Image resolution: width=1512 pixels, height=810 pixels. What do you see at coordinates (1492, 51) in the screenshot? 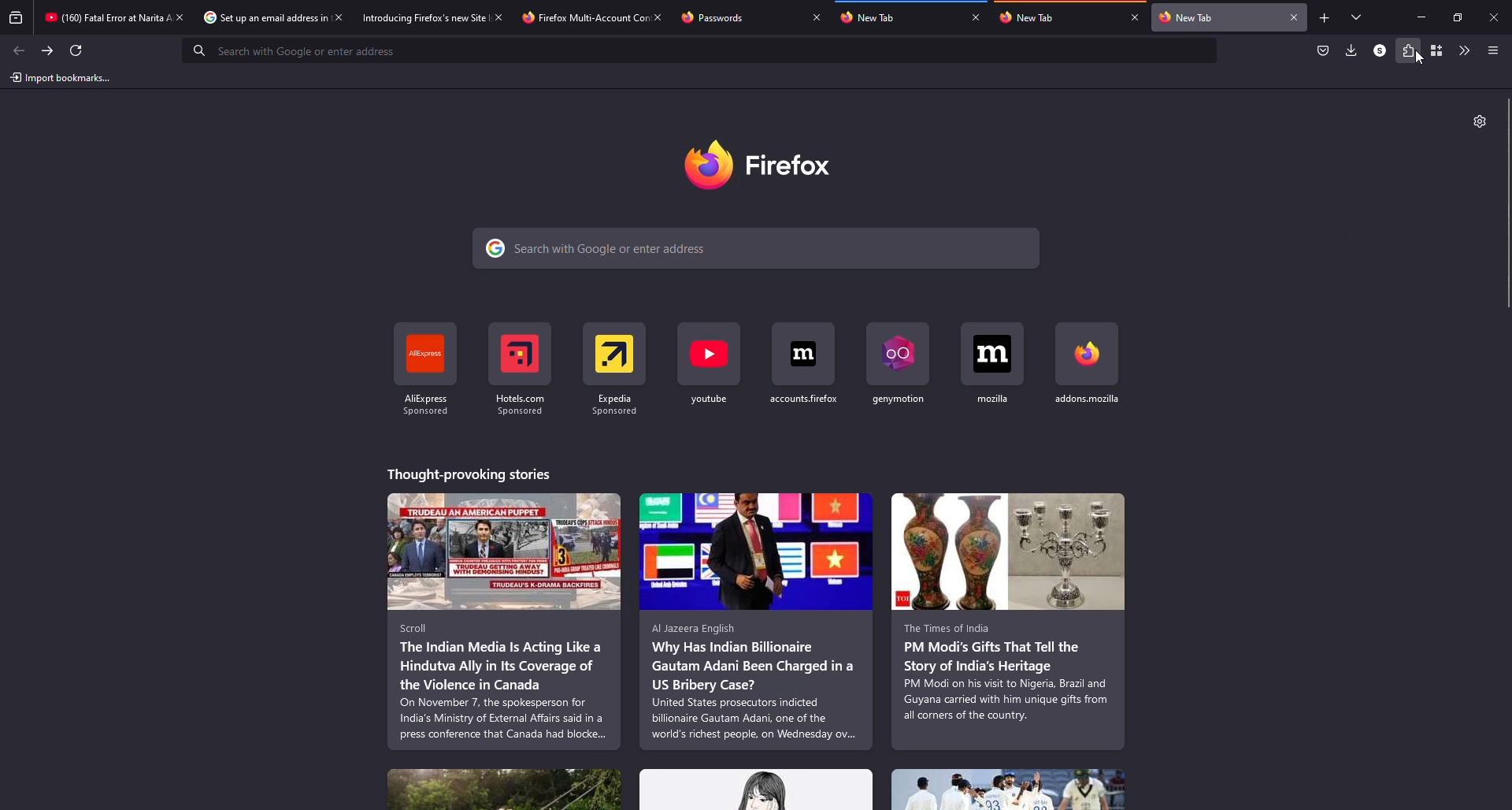
I see `menu` at bounding box center [1492, 51].